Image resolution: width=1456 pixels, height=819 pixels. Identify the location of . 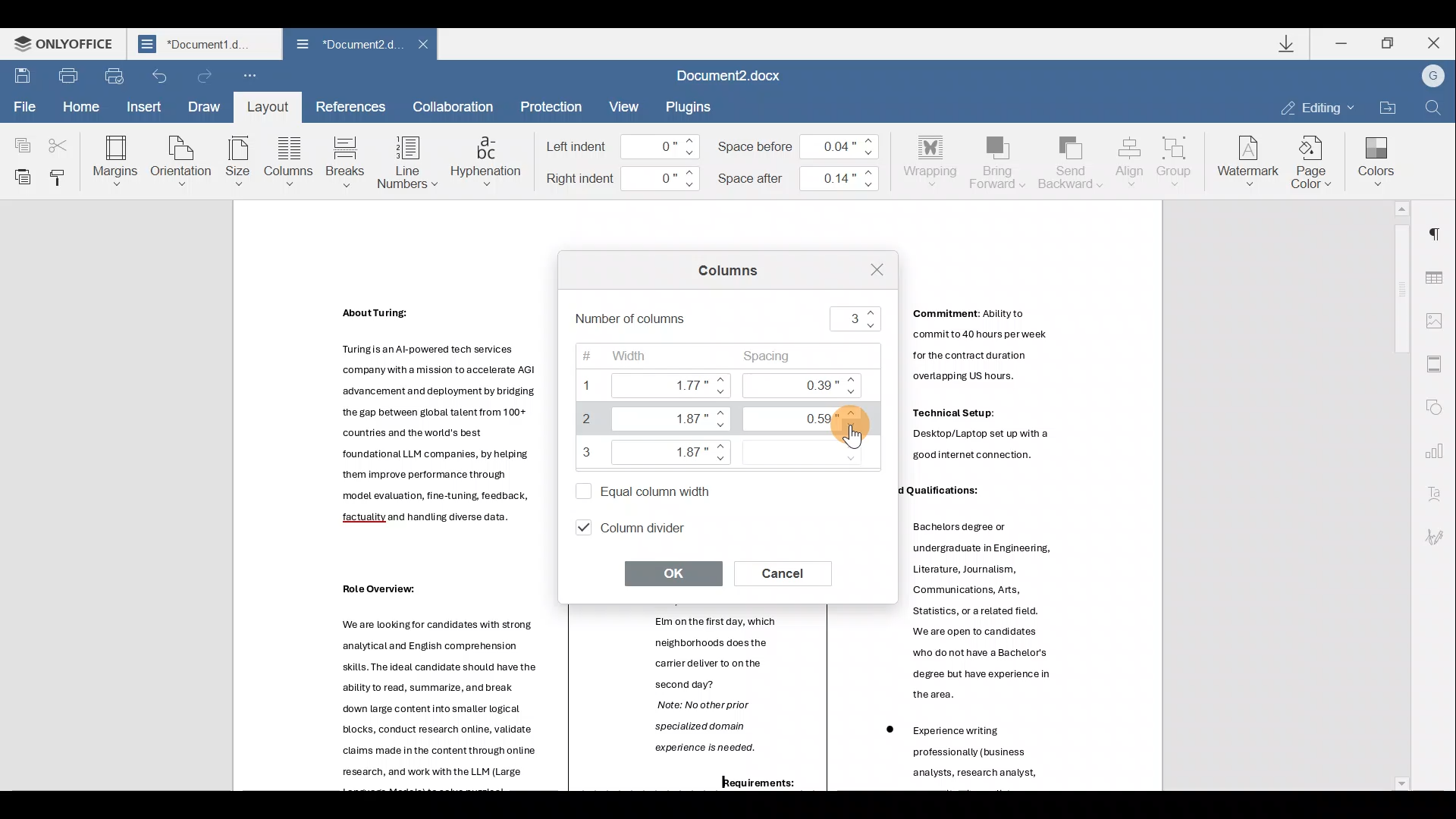
(373, 591).